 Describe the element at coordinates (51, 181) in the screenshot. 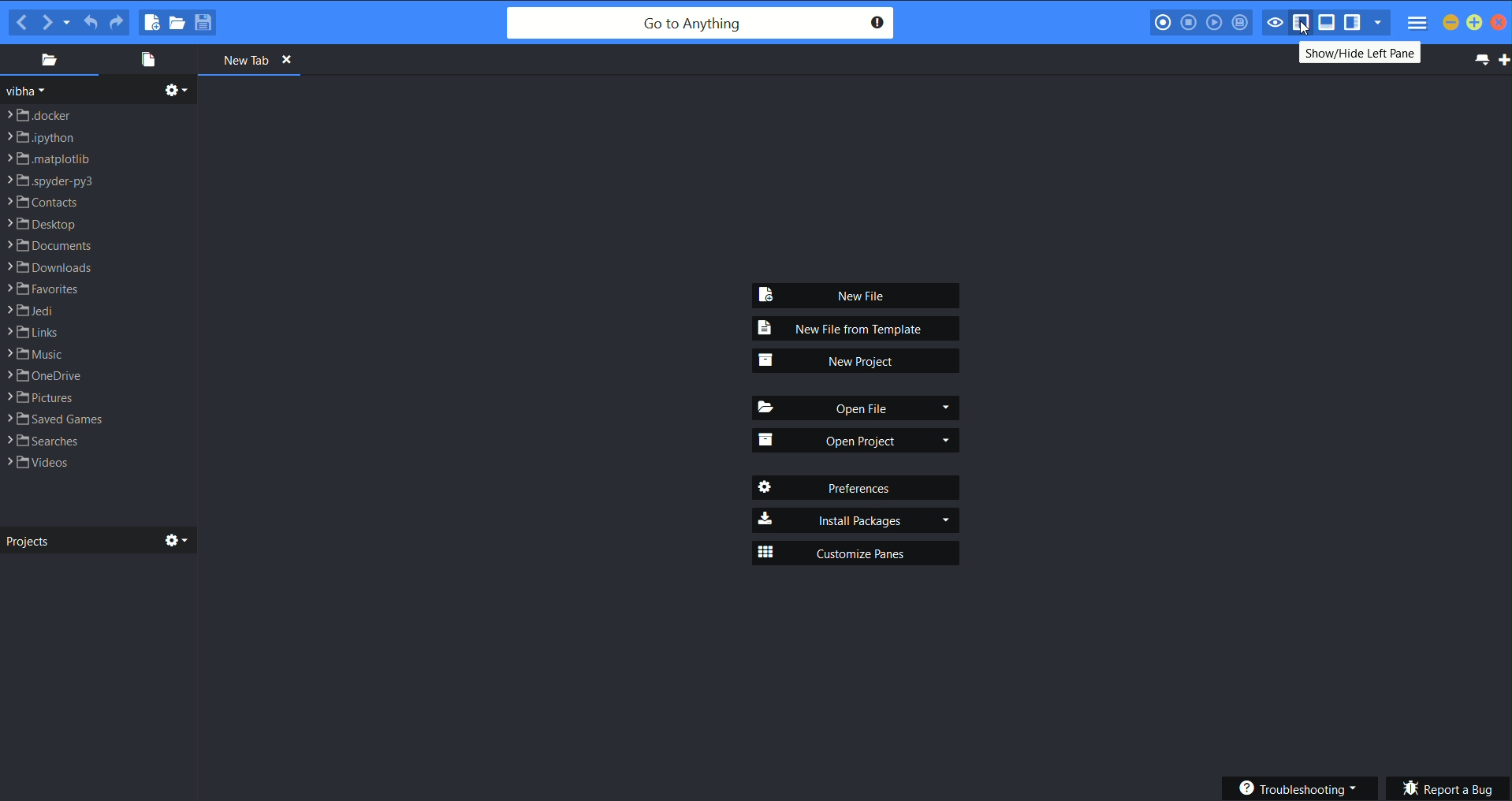

I see `.spyder-py3` at that location.